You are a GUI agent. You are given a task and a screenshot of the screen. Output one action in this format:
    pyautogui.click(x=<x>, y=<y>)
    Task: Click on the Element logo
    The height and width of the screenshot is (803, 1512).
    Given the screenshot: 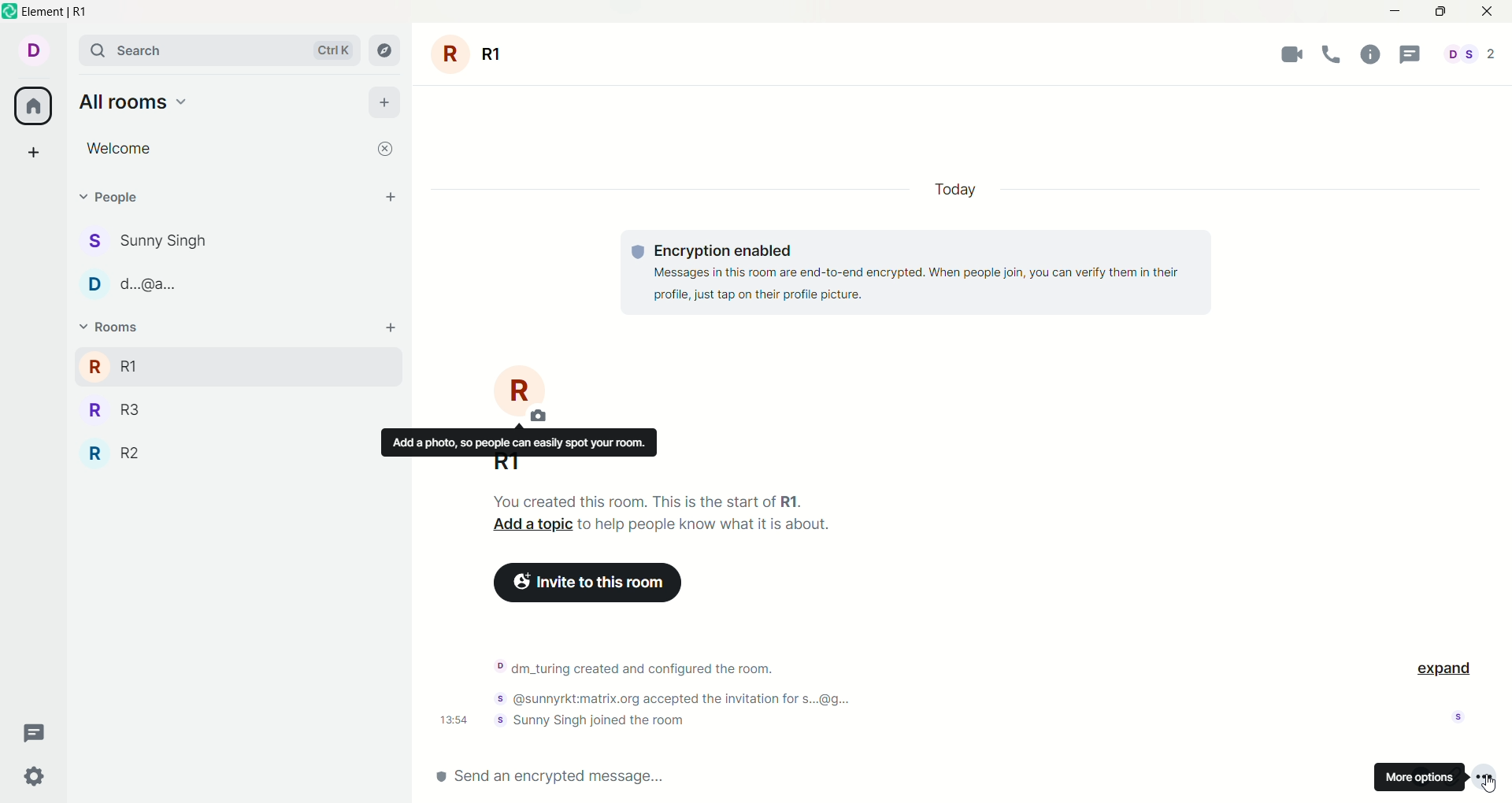 What is the action you would take?
    pyautogui.click(x=10, y=11)
    